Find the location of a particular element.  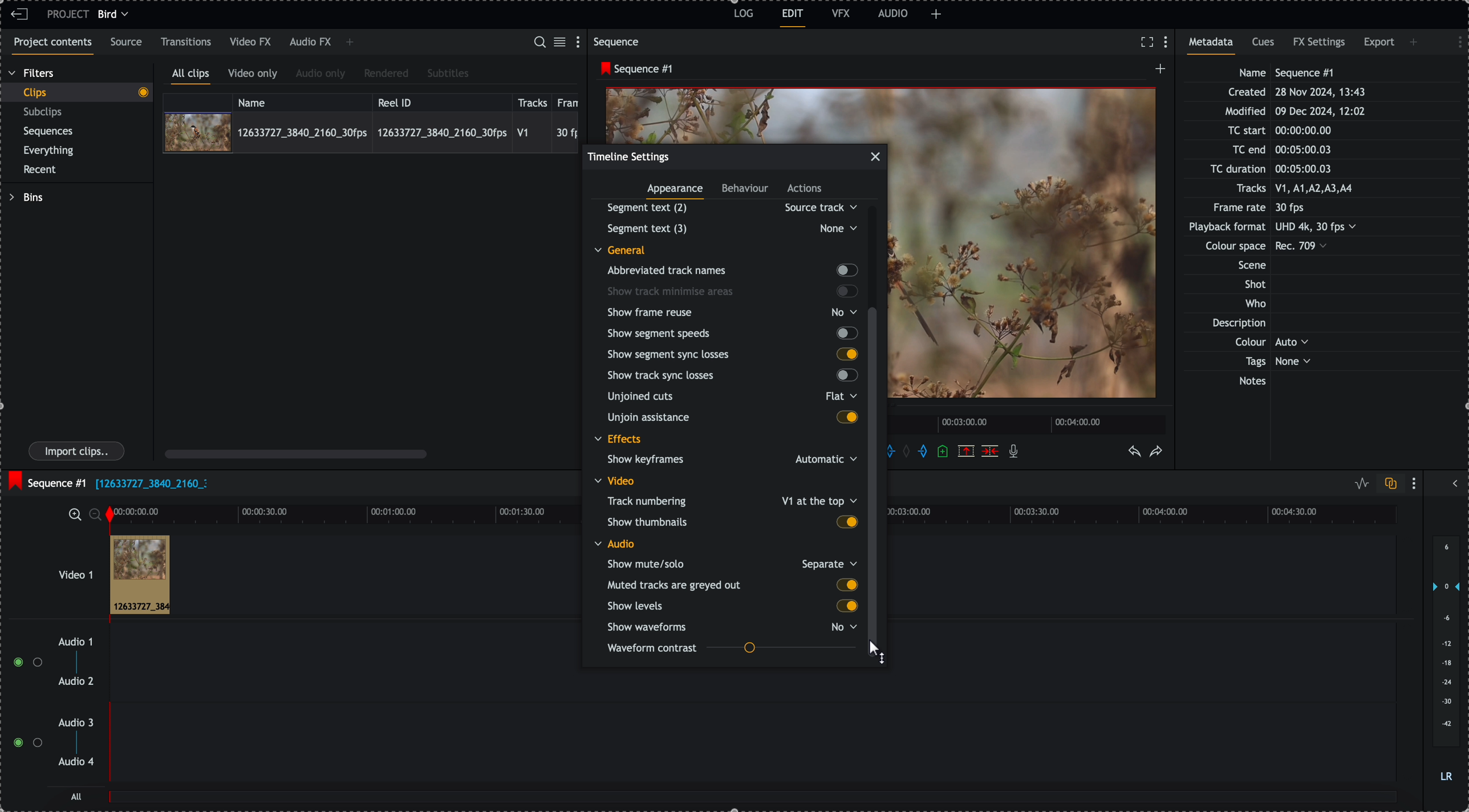

segment text (2) is located at coordinates (728, 208).